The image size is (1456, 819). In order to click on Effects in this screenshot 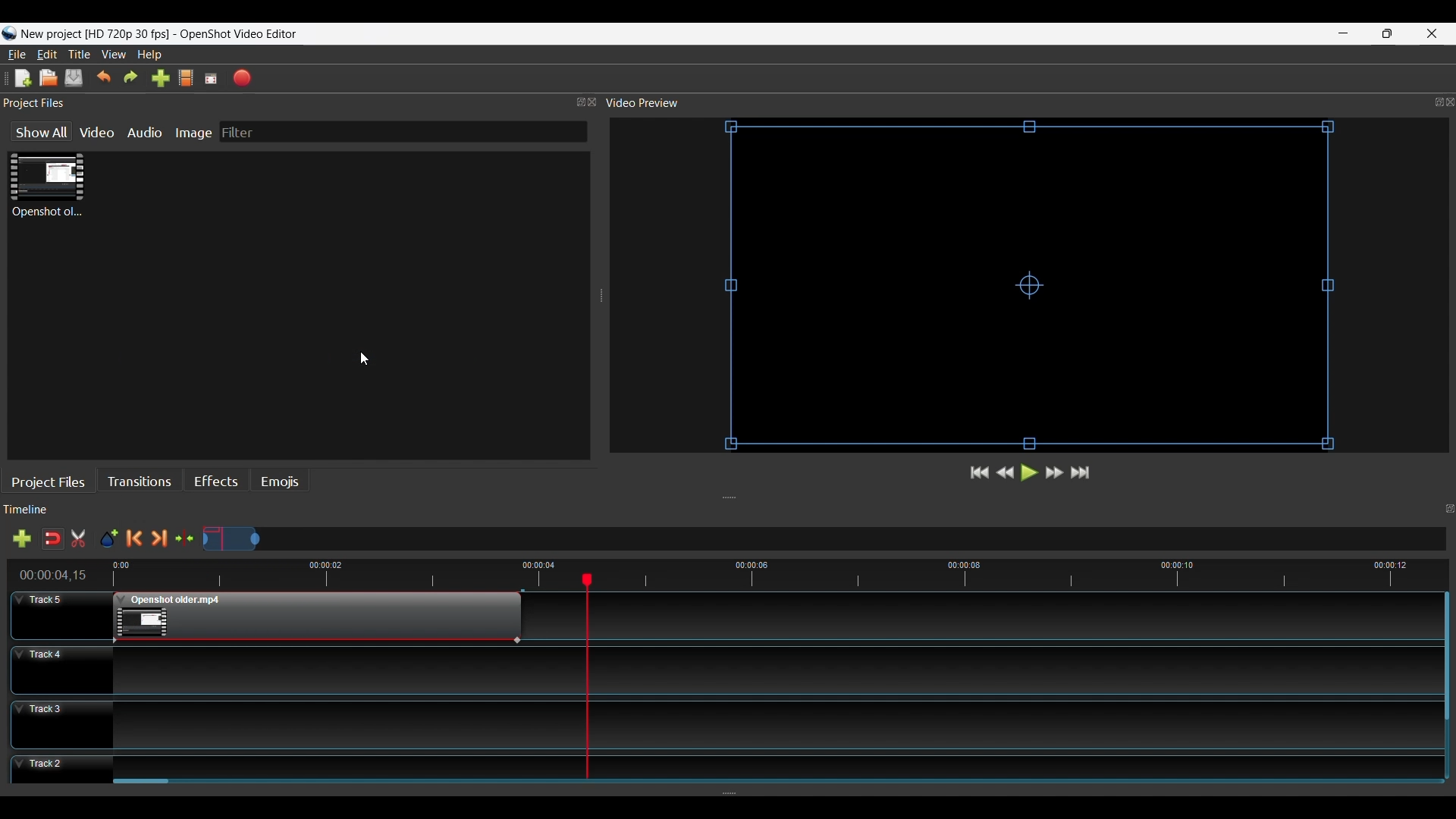, I will do `click(216, 483)`.